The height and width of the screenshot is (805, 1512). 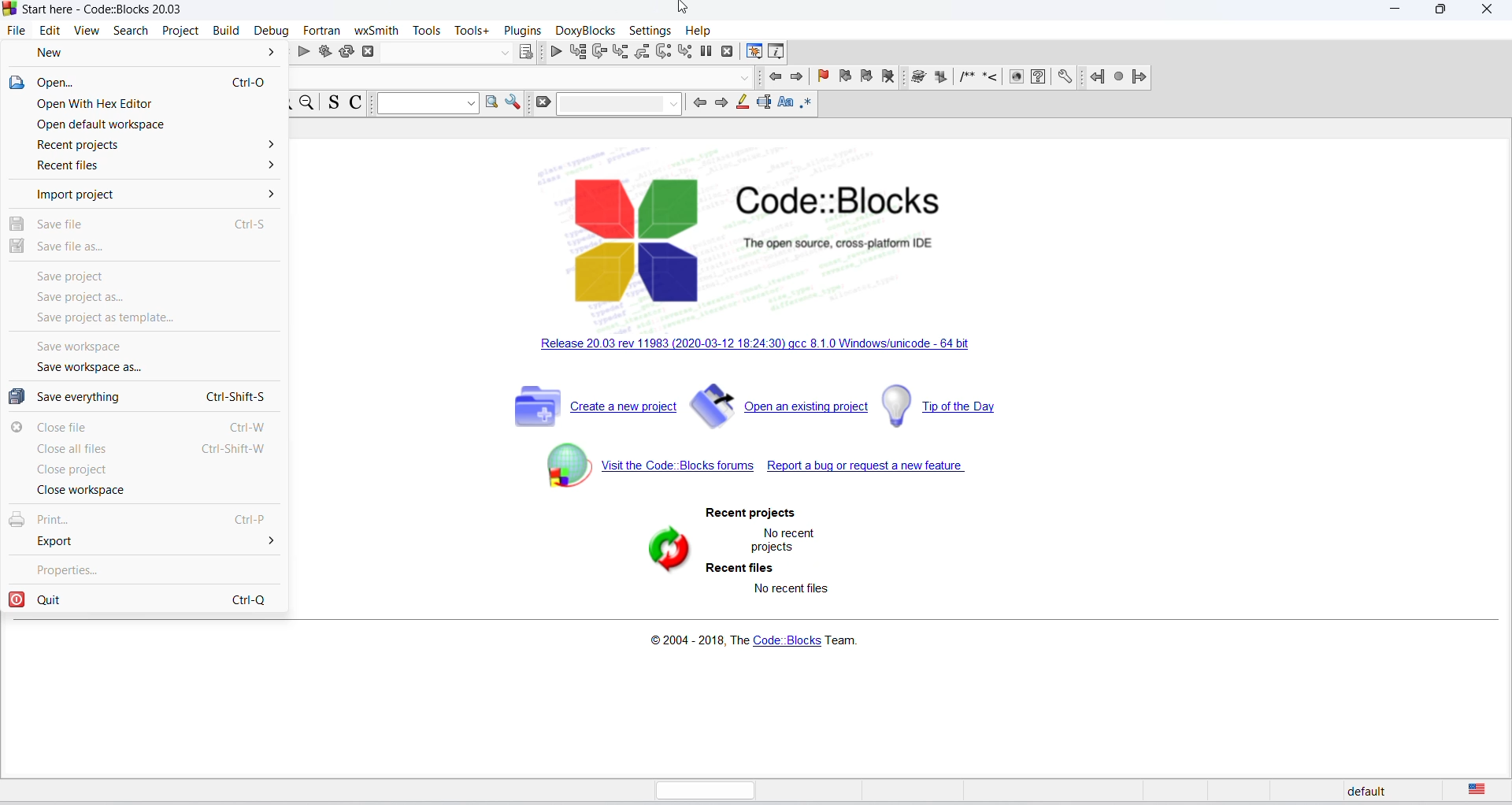 What do you see at coordinates (623, 103) in the screenshot?
I see `dropdown` at bounding box center [623, 103].